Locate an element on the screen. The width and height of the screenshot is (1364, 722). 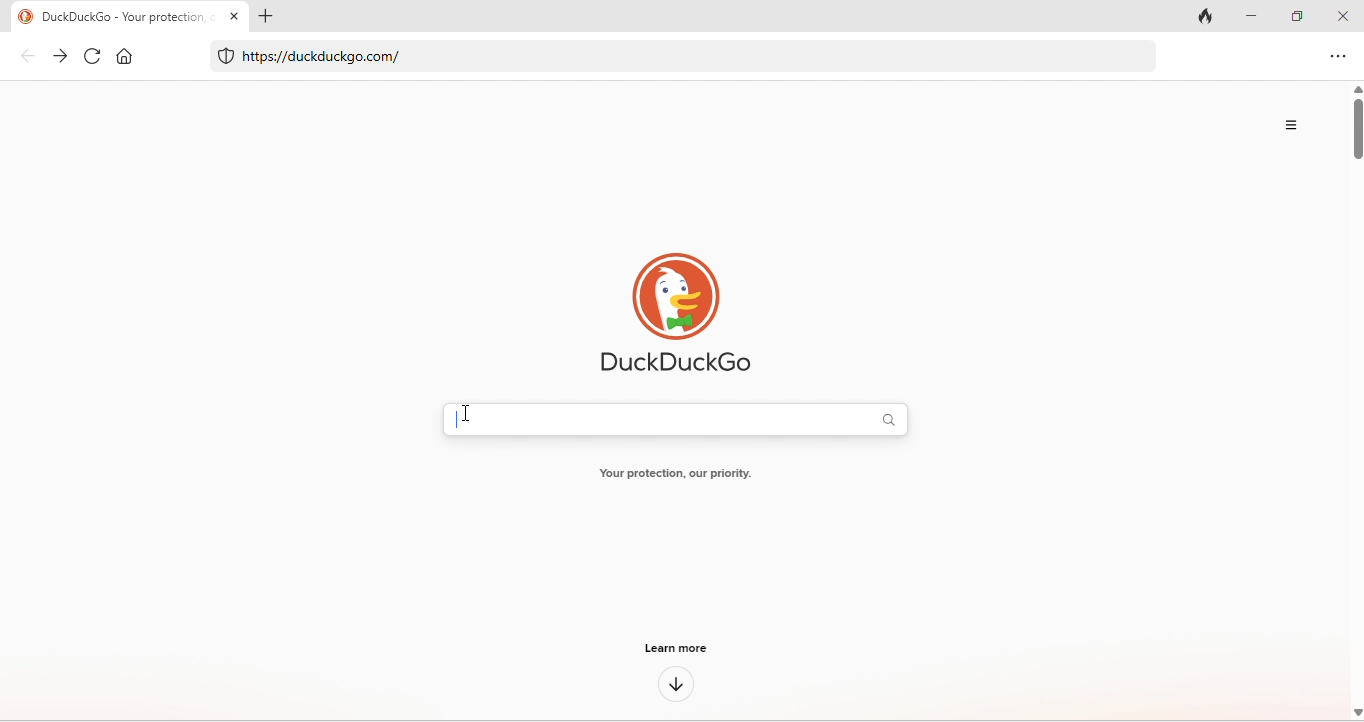
track tab is located at coordinates (1202, 16).